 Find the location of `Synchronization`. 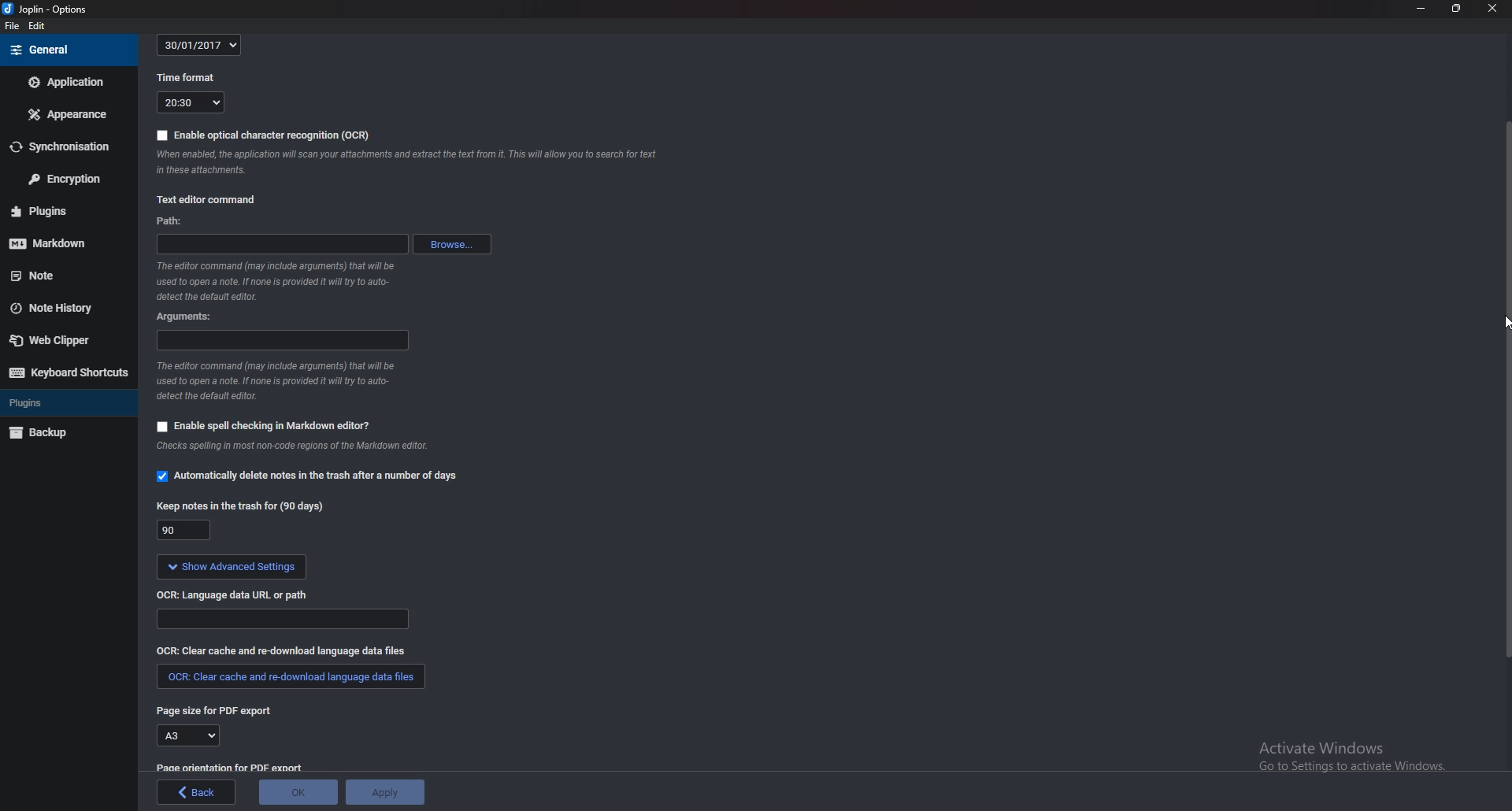

Synchronization is located at coordinates (64, 146).